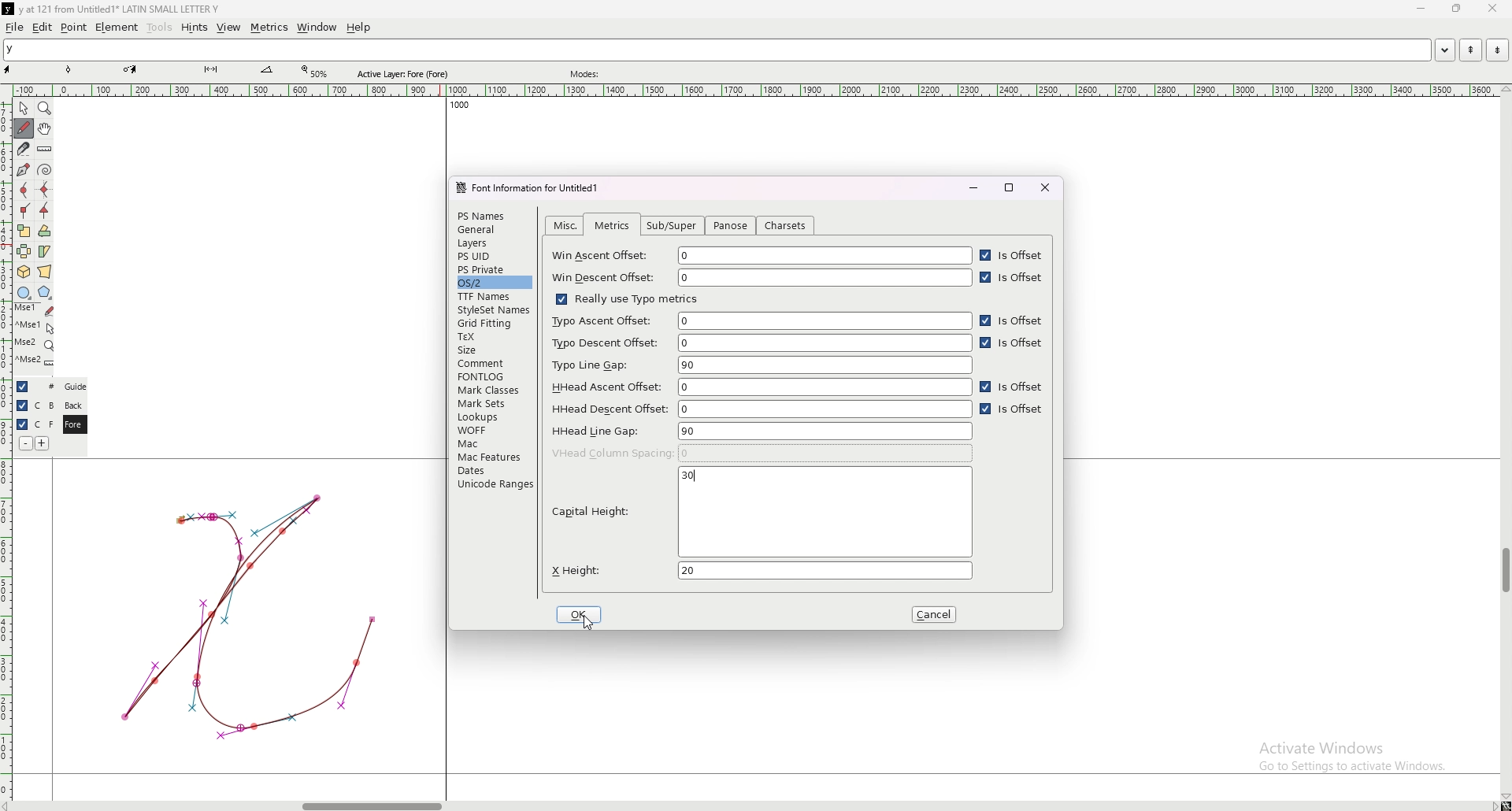 This screenshot has width=1512, height=811. Describe the element at coordinates (160, 28) in the screenshot. I see `tools` at that location.